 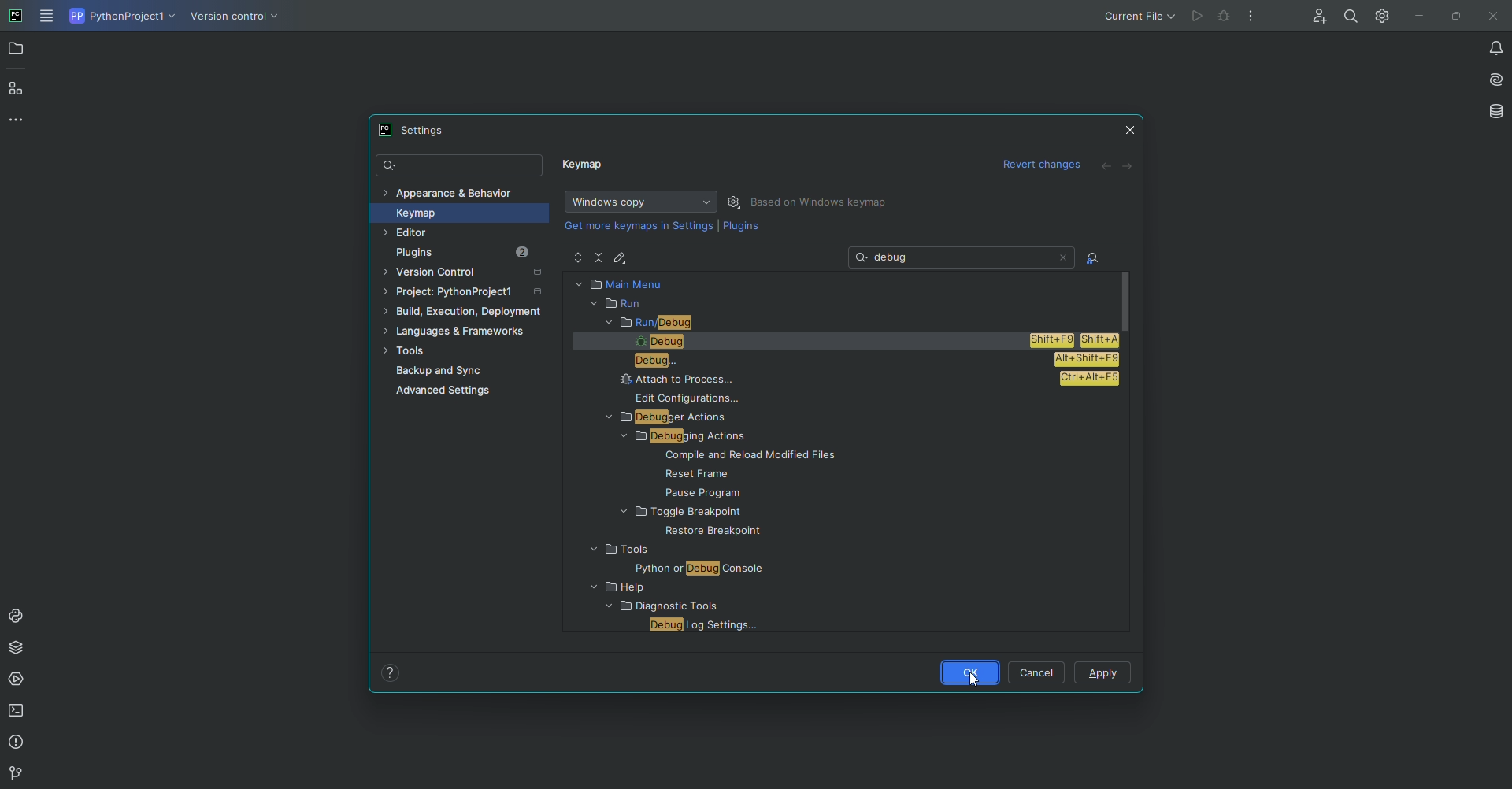 What do you see at coordinates (756, 474) in the screenshot?
I see `FILE NAME` at bounding box center [756, 474].